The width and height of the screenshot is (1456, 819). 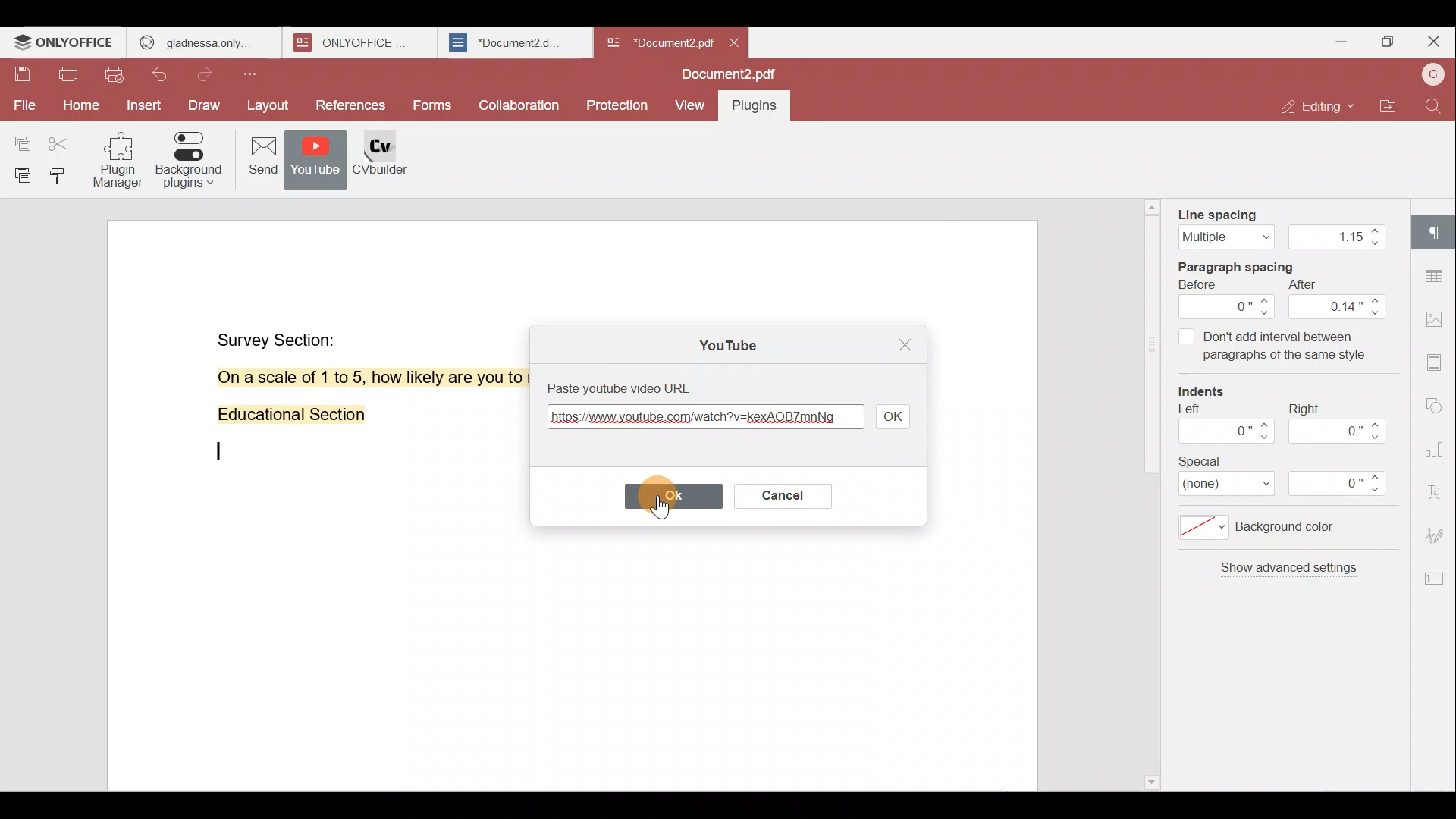 What do you see at coordinates (1438, 361) in the screenshot?
I see `Header & footer settings` at bounding box center [1438, 361].